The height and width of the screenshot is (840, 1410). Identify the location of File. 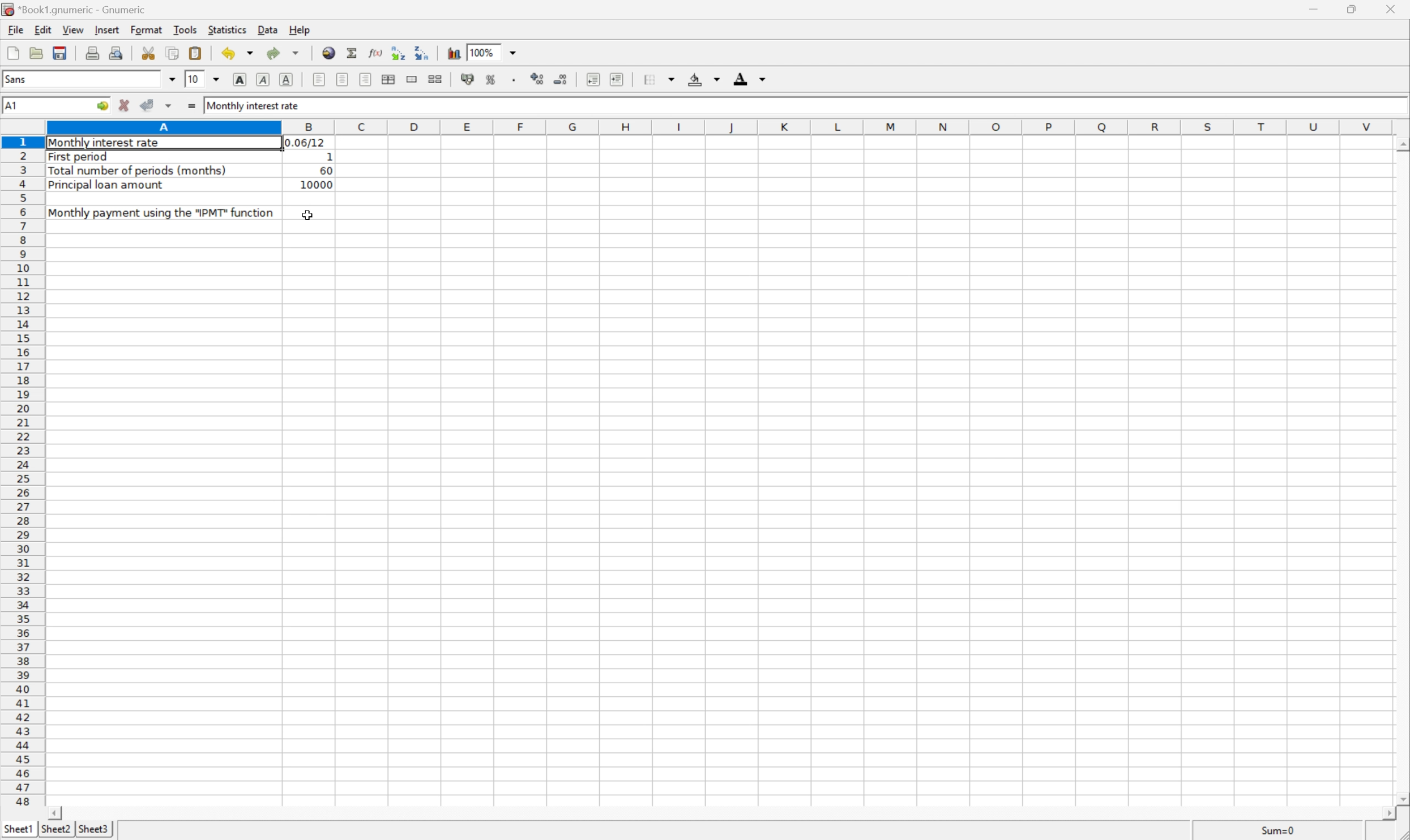
(15, 29).